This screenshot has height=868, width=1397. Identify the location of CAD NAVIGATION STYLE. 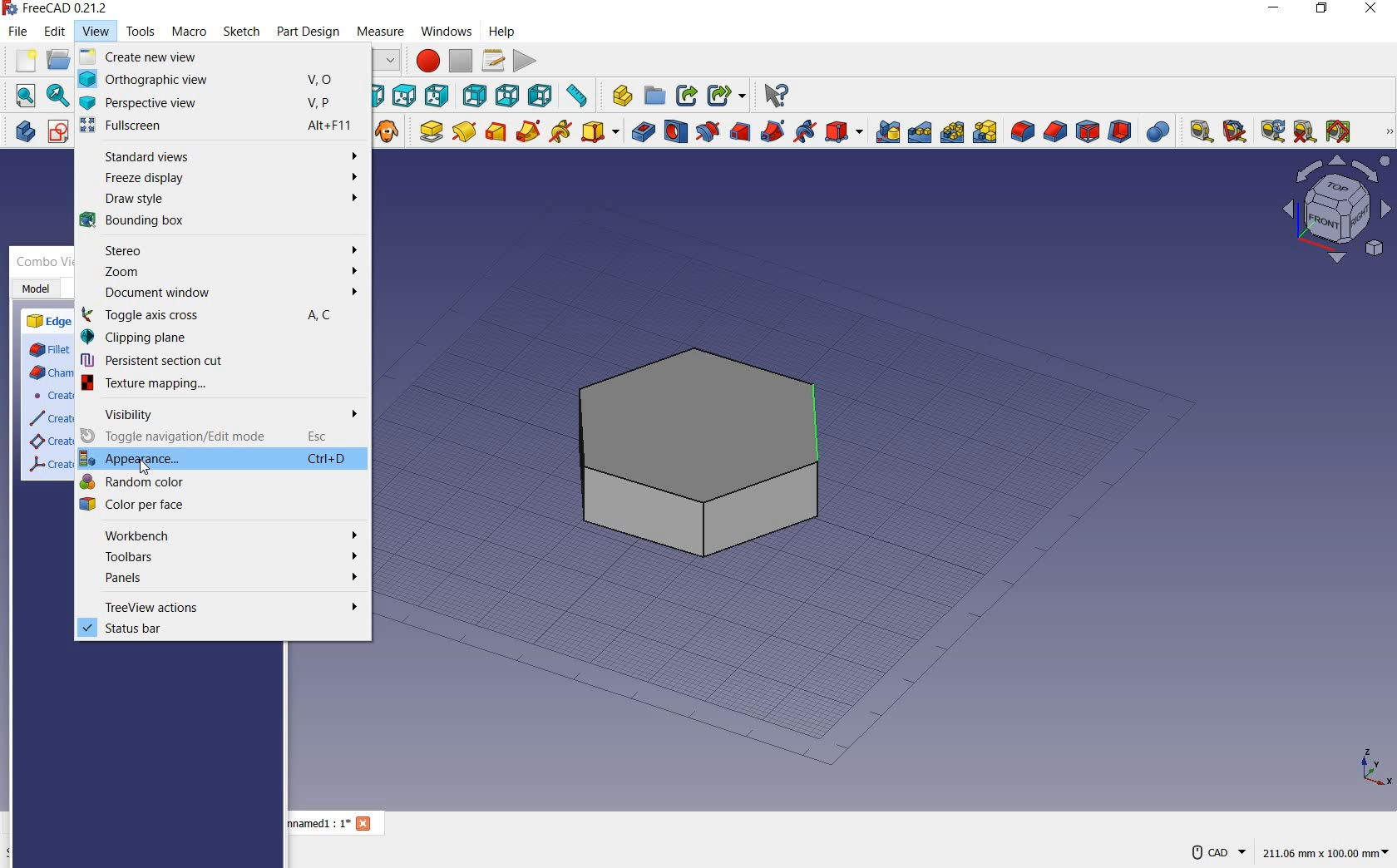
(1214, 852).